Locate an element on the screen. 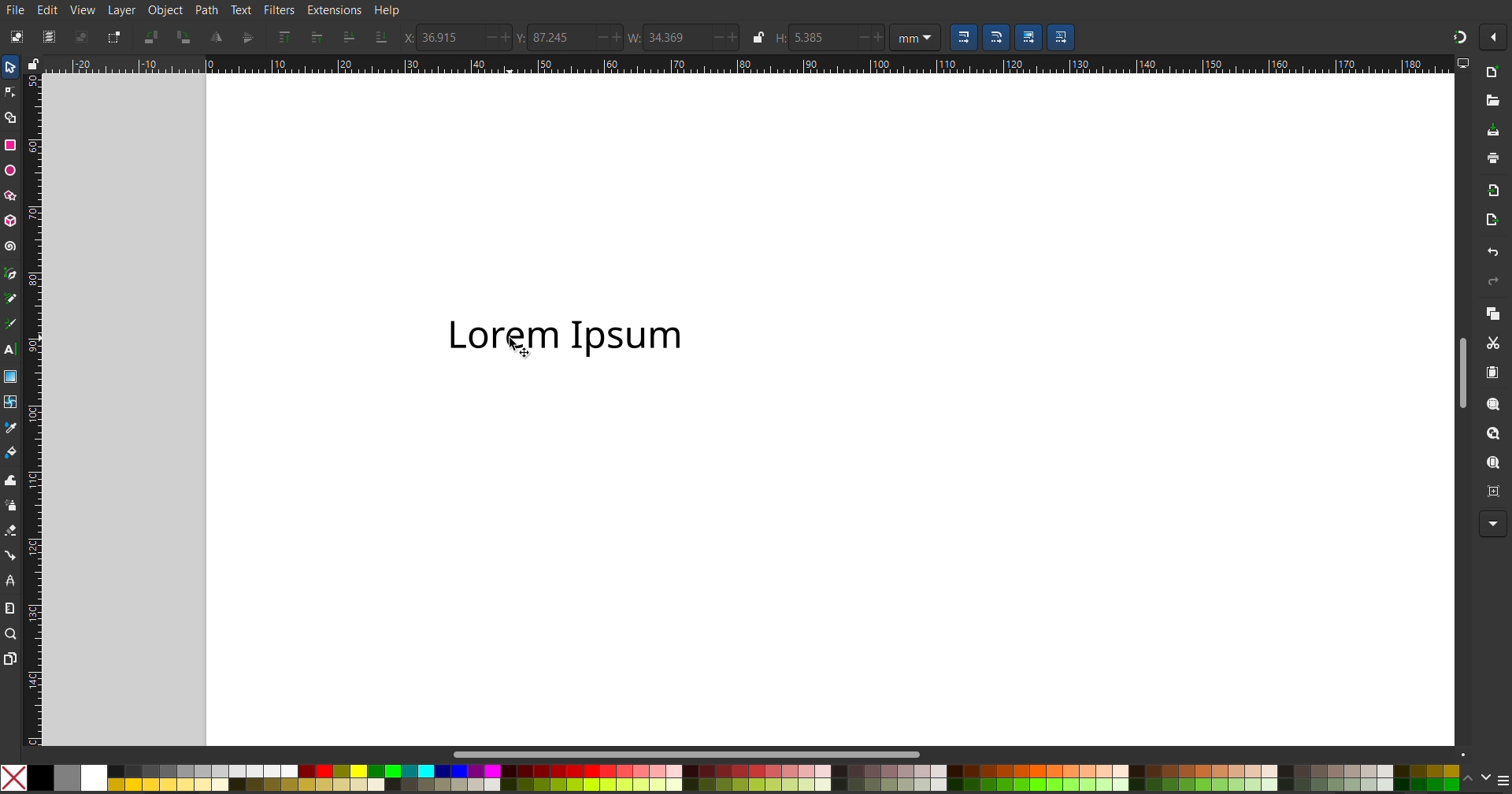 This screenshot has height=794, width=1512. Lorem Ipsum is located at coordinates (569, 336).